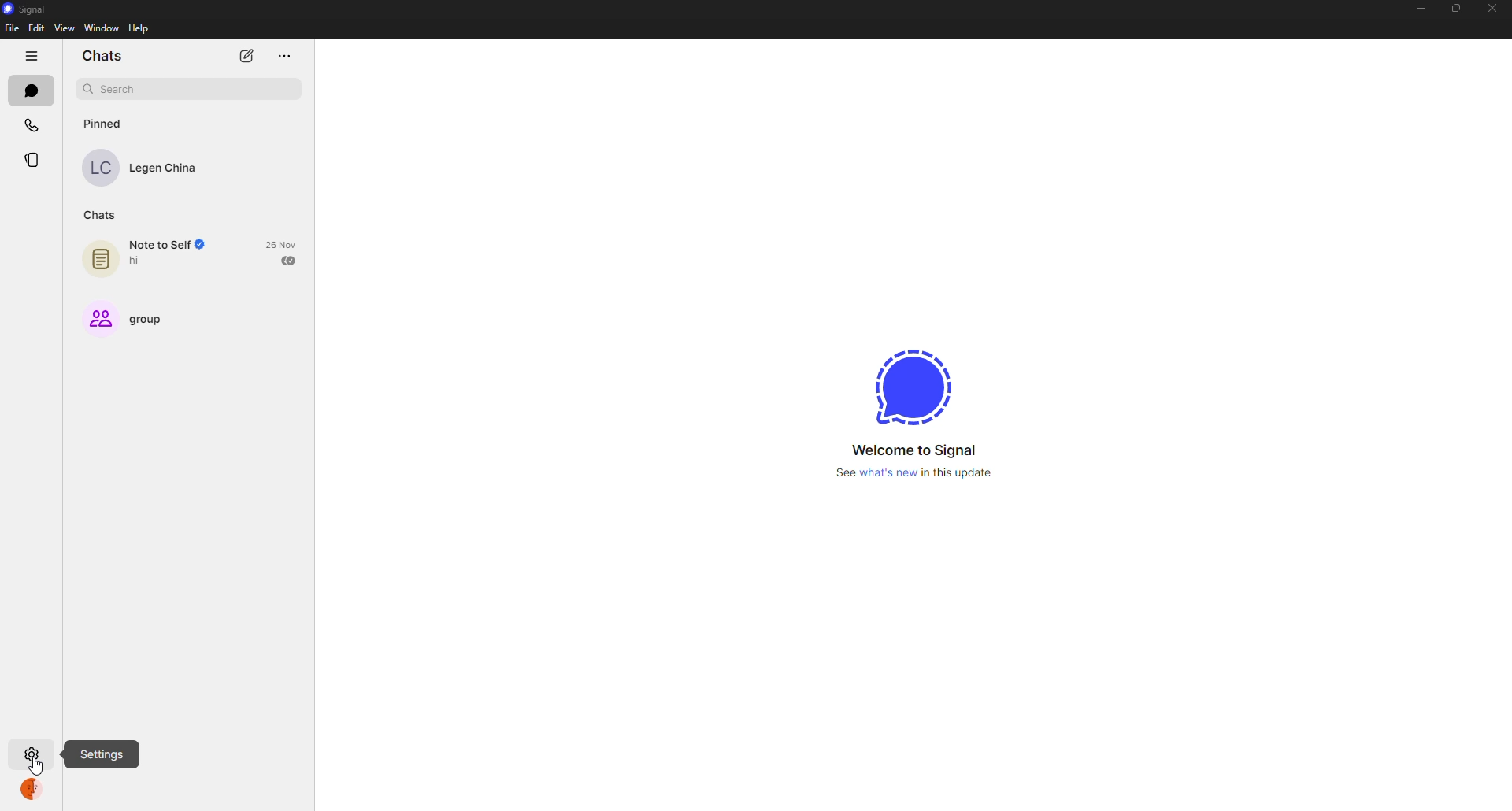  Describe the element at coordinates (65, 28) in the screenshot. I see `view` at that location.